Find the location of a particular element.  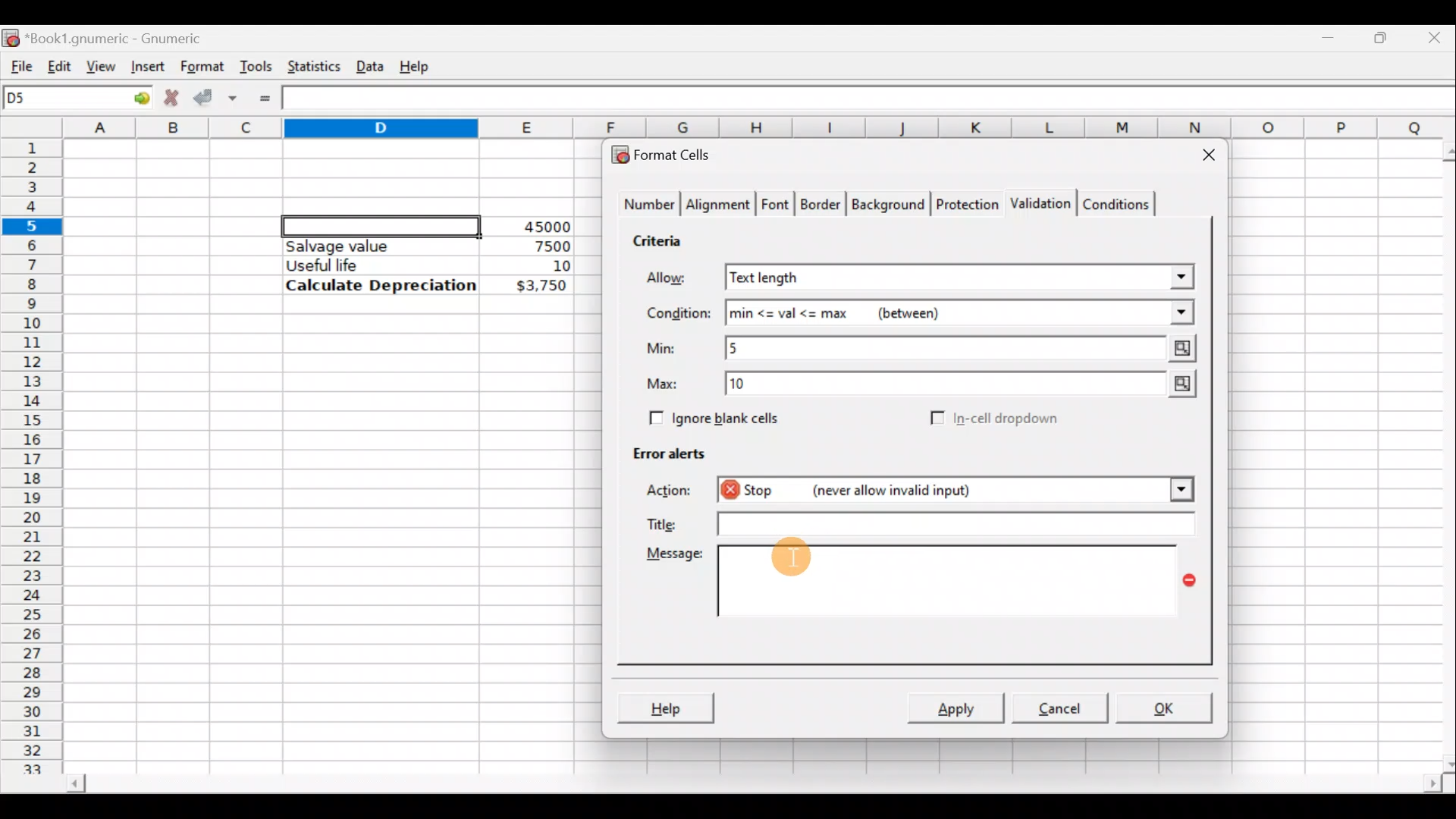

Close is located at coordinates (1202, 158).